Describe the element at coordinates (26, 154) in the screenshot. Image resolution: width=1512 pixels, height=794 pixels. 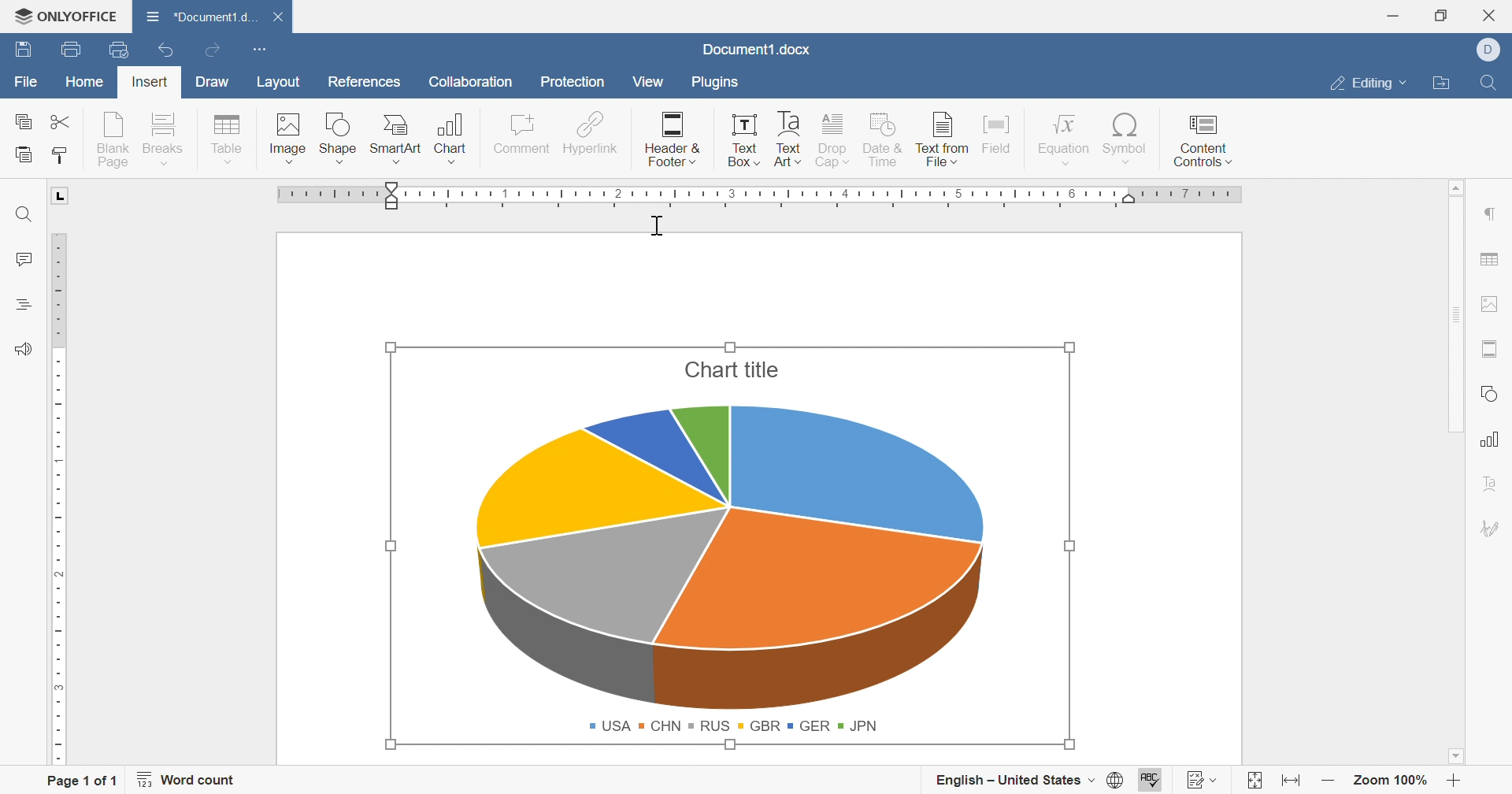
I see `Paste` at that location.